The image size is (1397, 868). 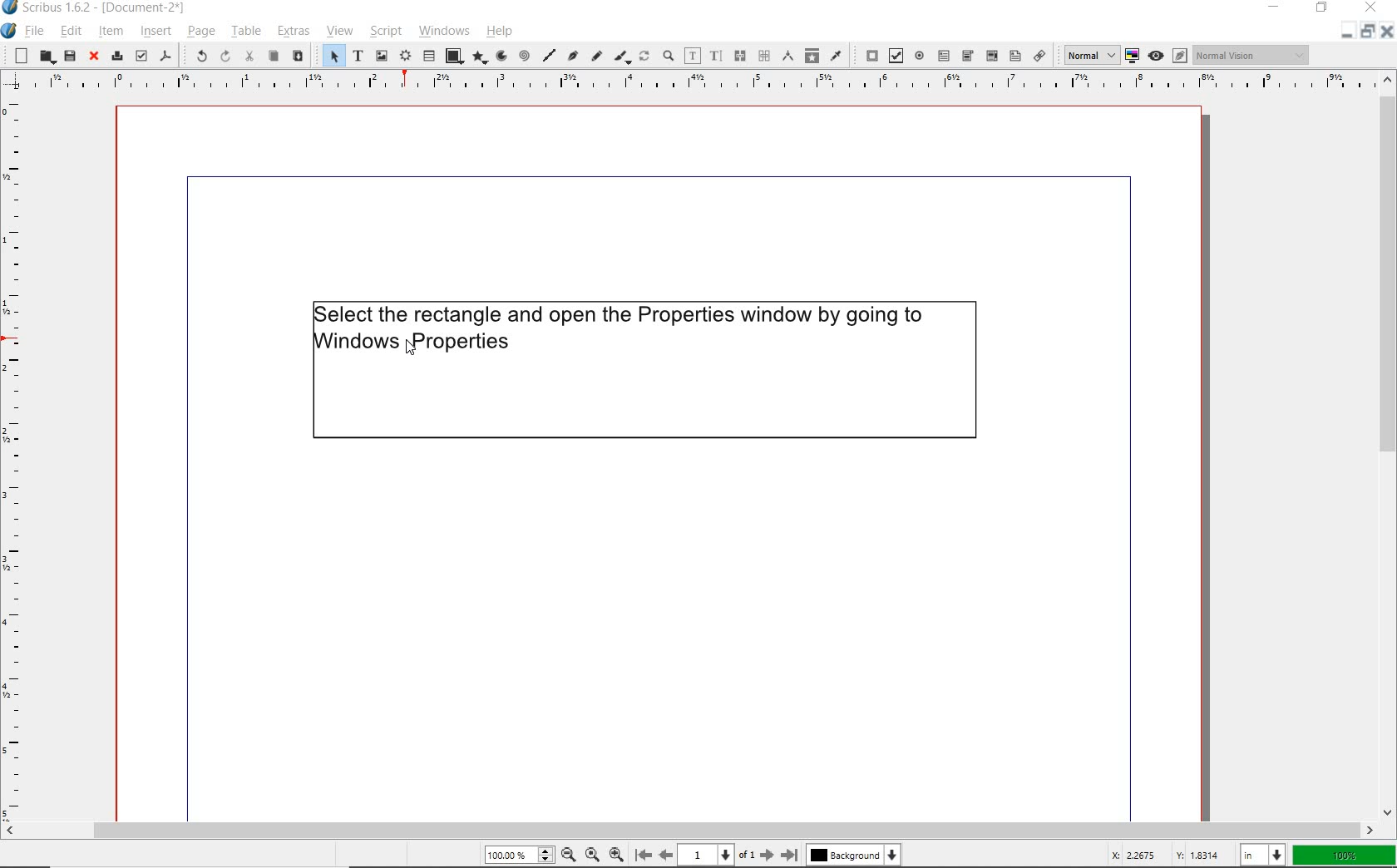 I want to click on scrollbar, so click(x=1389, y=446).